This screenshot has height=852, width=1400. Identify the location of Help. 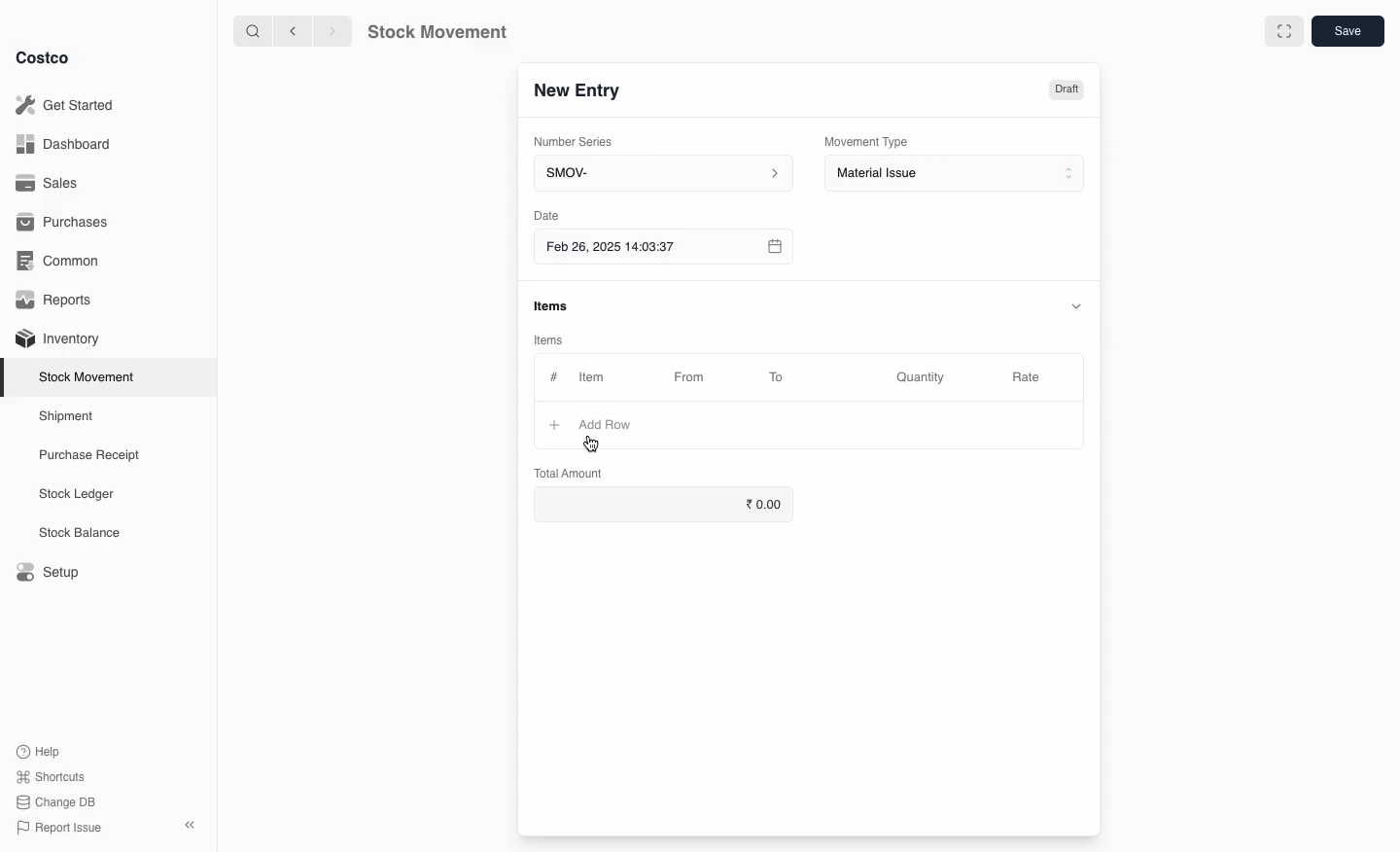
(40, 749).